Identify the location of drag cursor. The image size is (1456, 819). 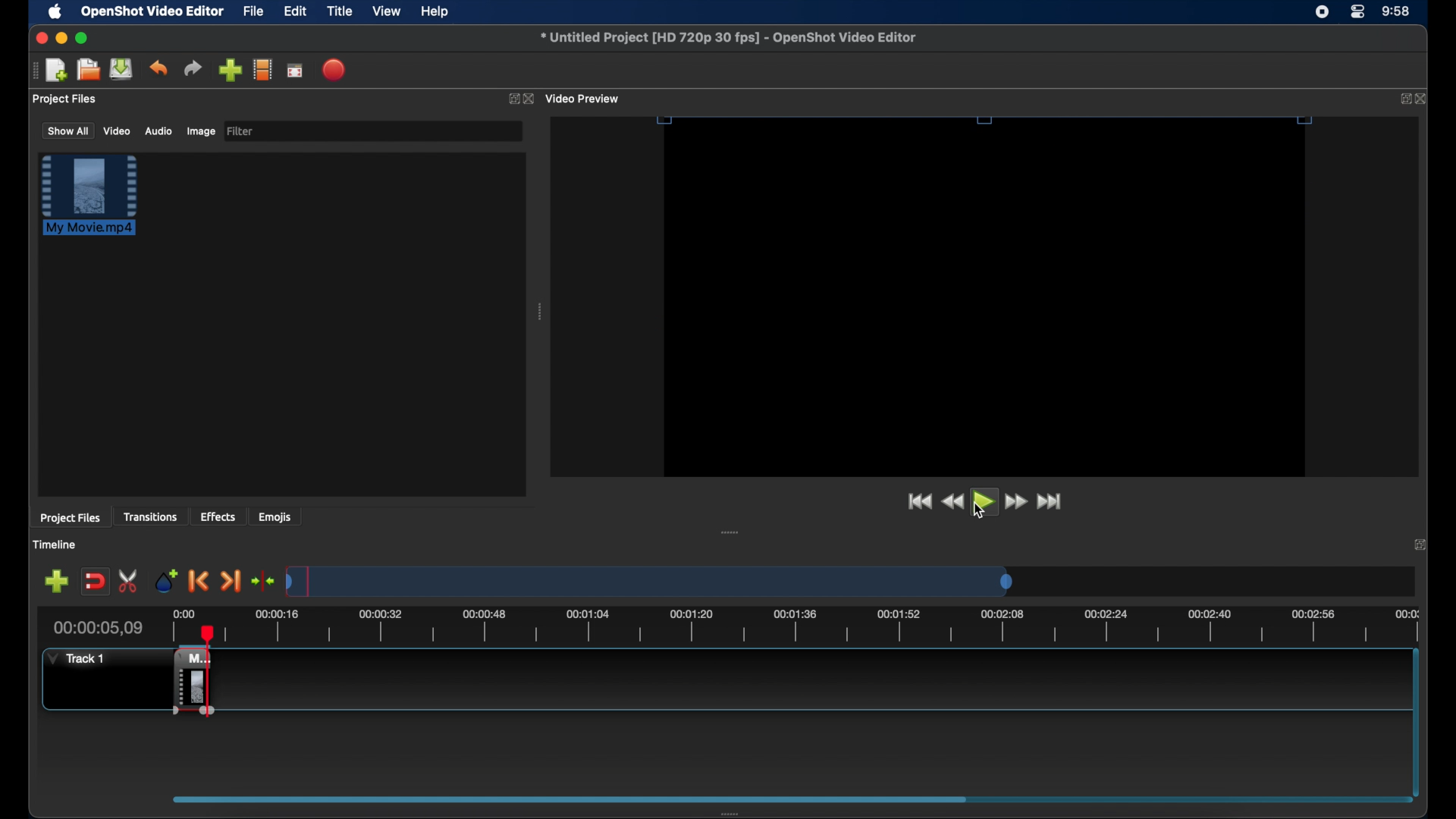
(179, 680).